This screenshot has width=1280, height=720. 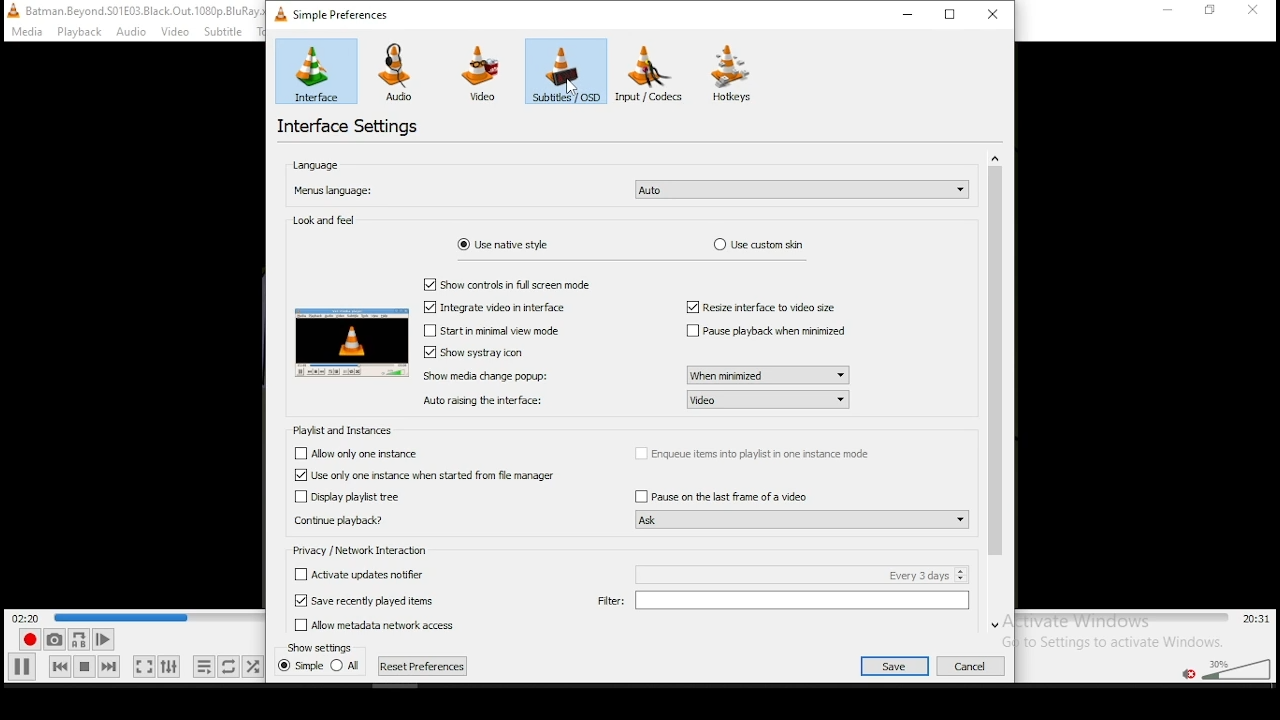 What do you see at coordinates (29, 32) in the screenshot?
I see `media` at bounding box center [29, 32].